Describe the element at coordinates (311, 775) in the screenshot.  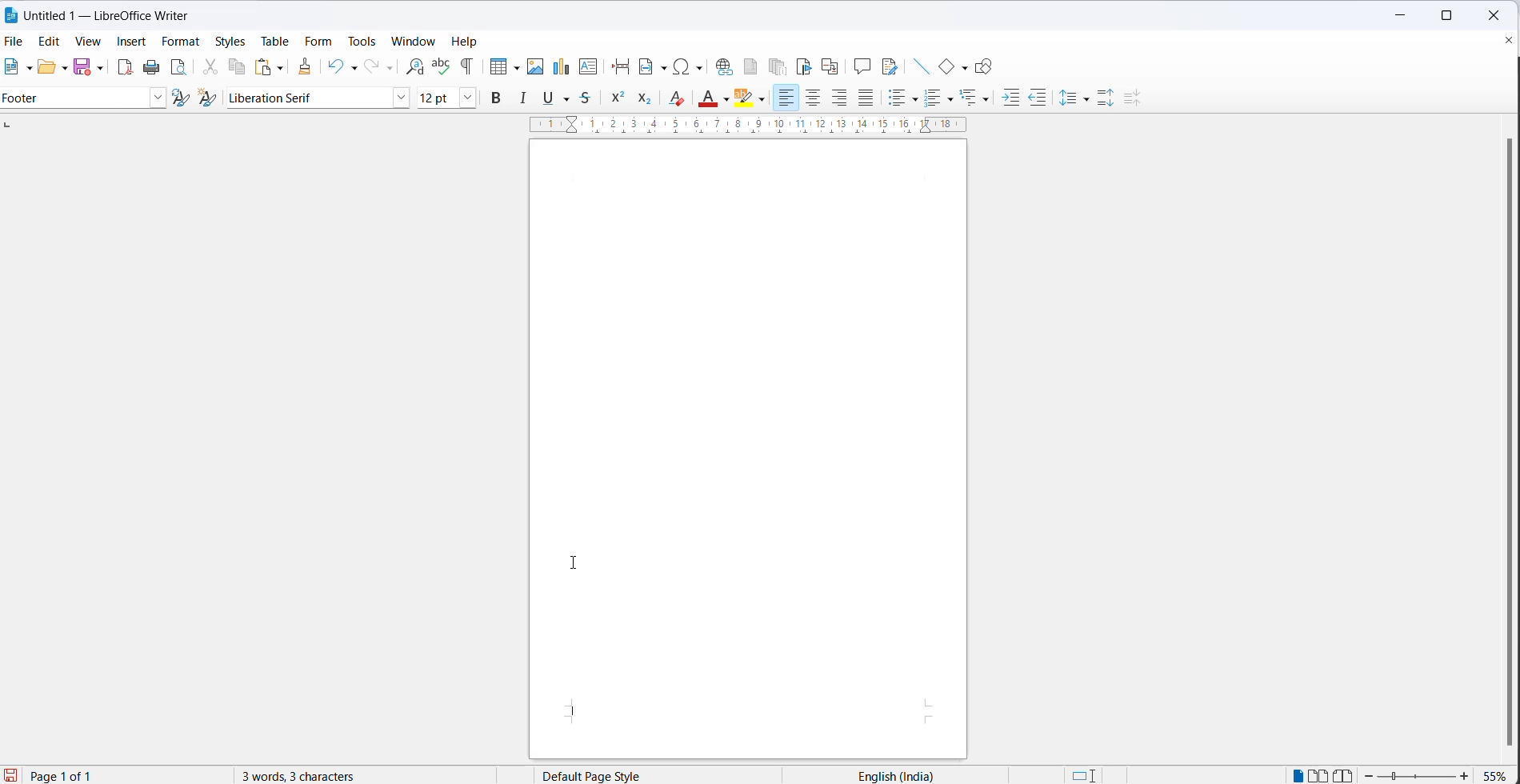
I see `3 words, 3 characters ` at that location.